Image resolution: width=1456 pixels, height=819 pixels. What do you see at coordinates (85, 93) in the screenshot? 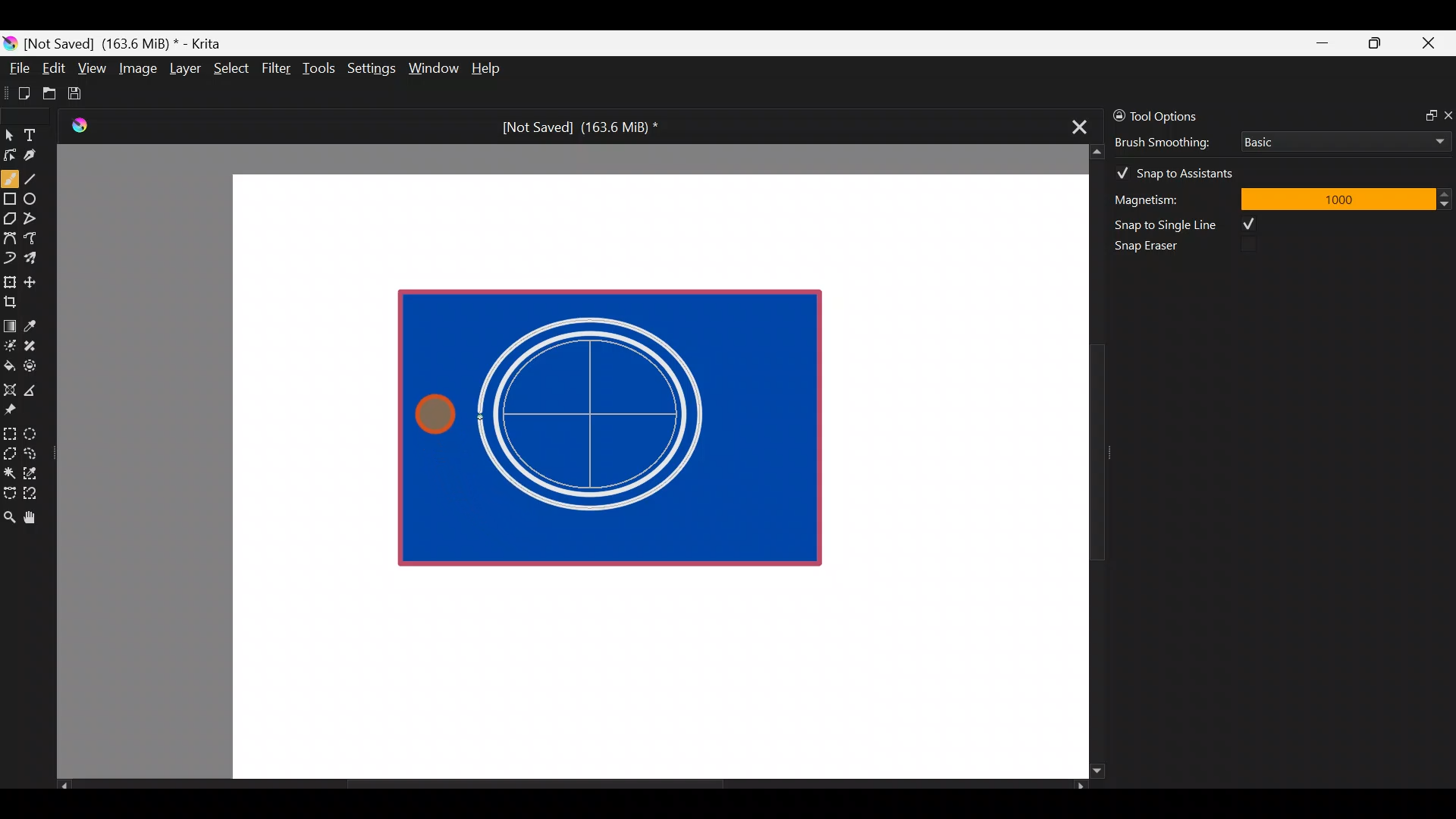
I see `Save` at bounding box center [85, 93].